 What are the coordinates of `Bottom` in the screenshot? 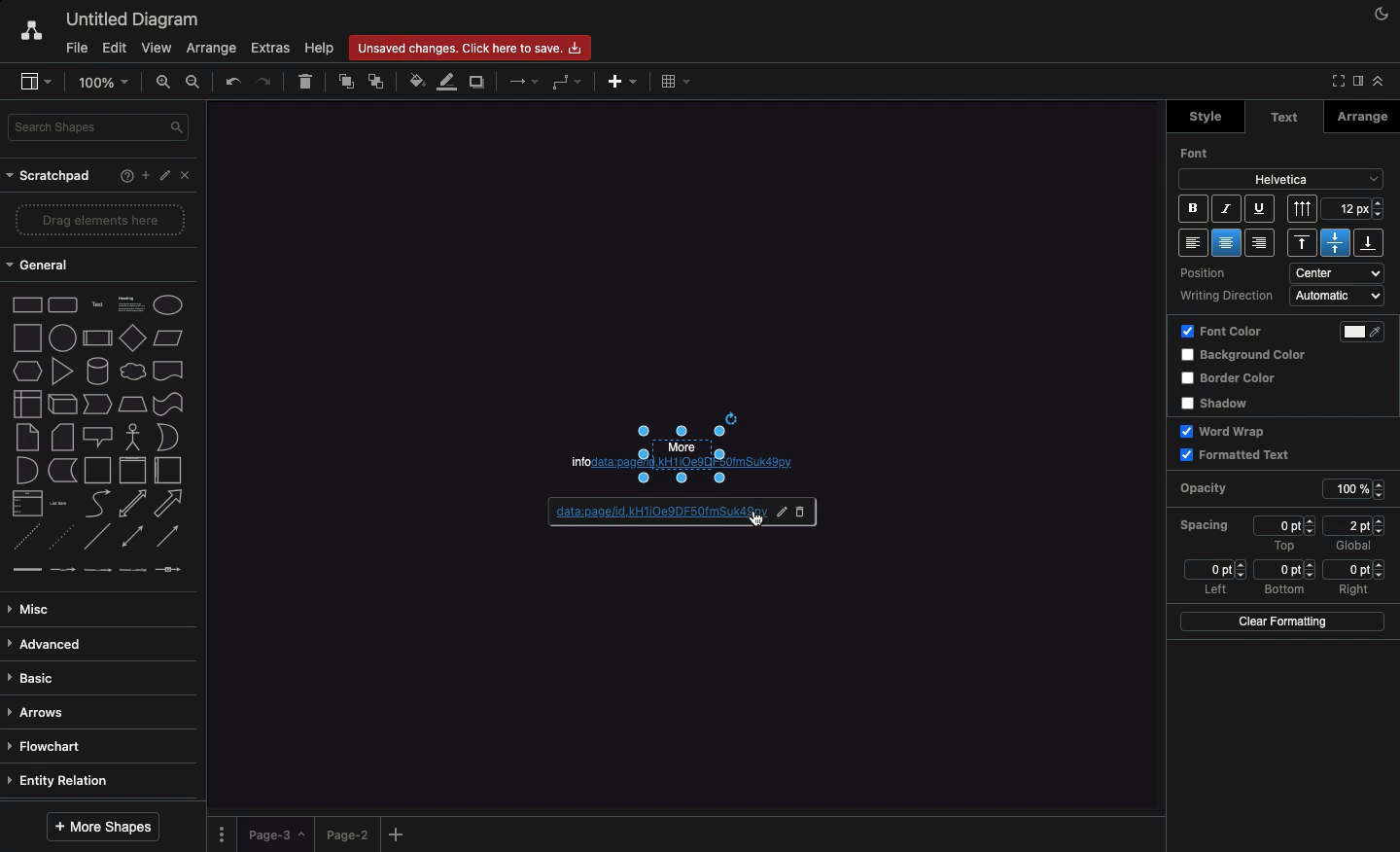 It's located at (1368, 242).